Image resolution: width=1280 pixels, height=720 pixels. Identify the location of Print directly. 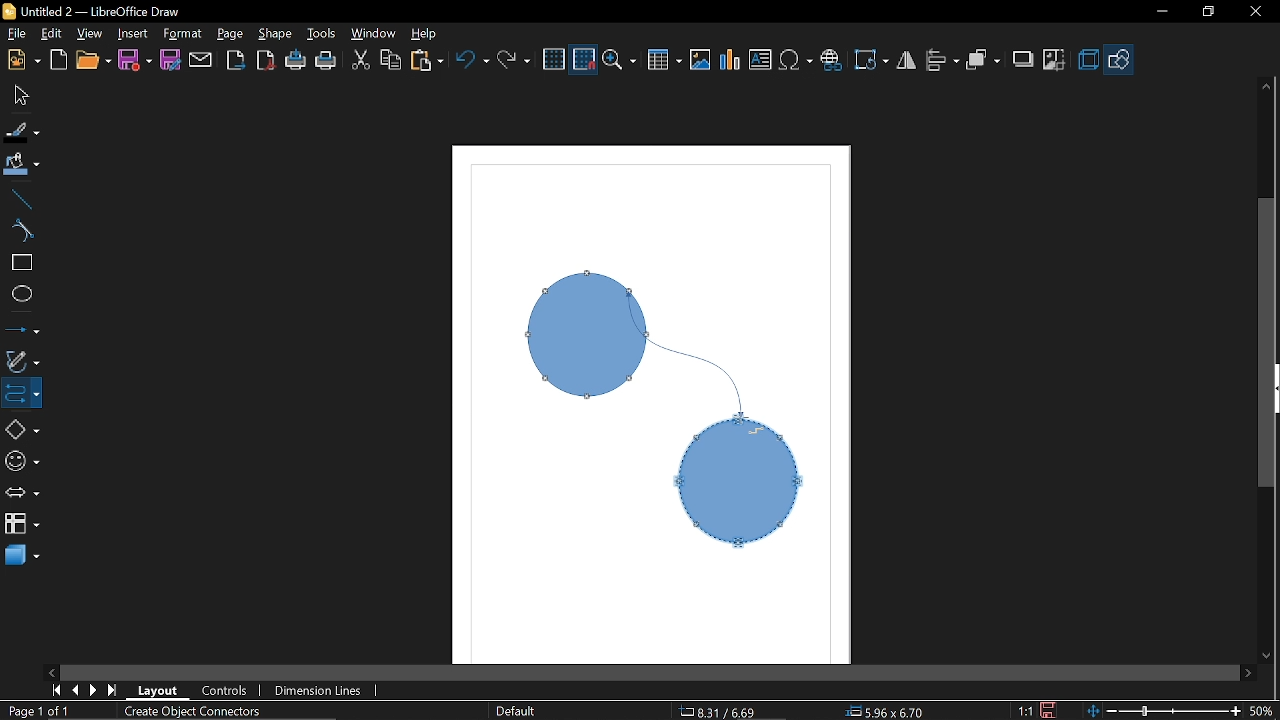
(297, 60).